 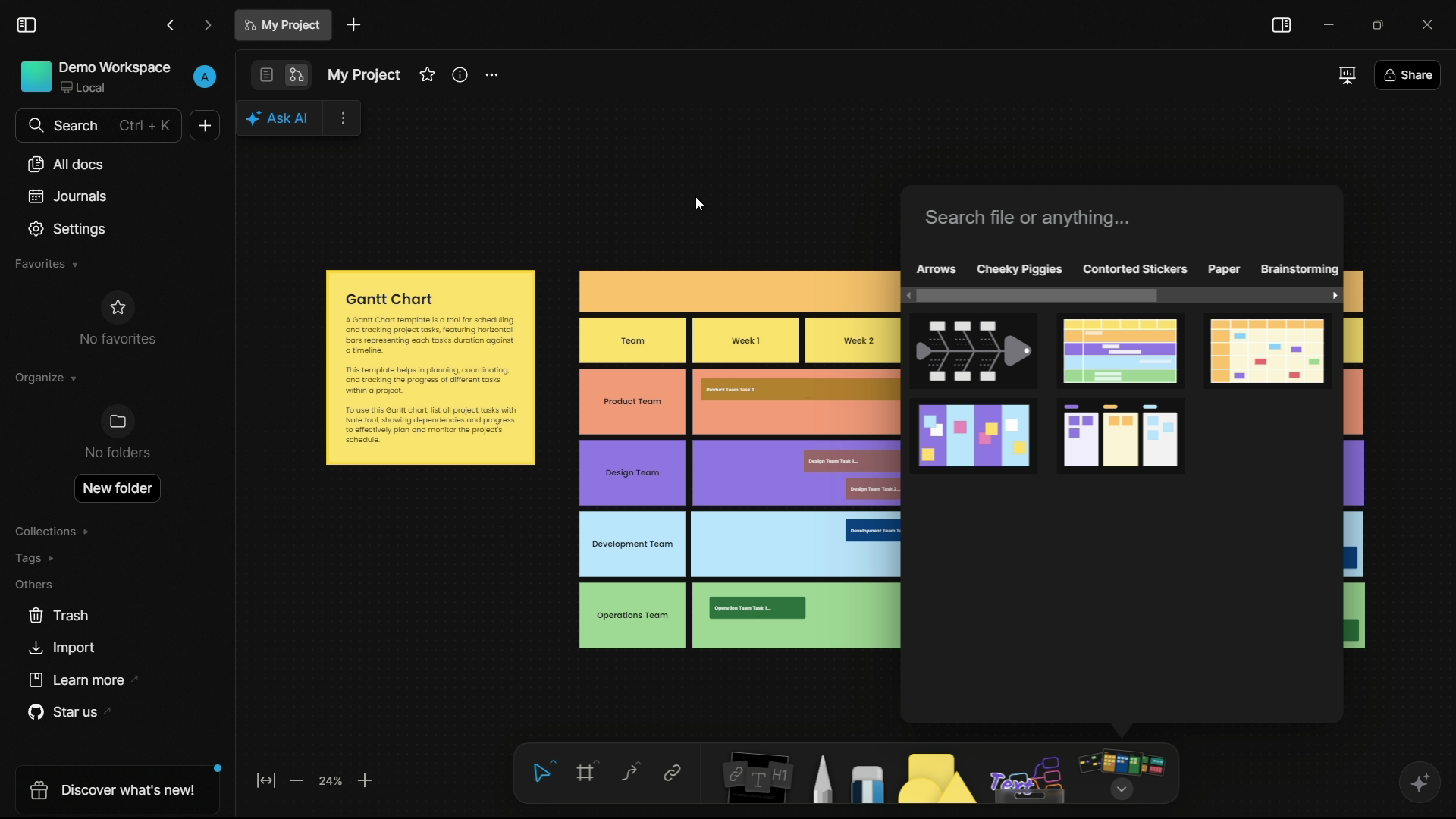 What do you see at coordinates (426, 75) in the screenshot?
I see `favorite` at bounding box center [426, 75].